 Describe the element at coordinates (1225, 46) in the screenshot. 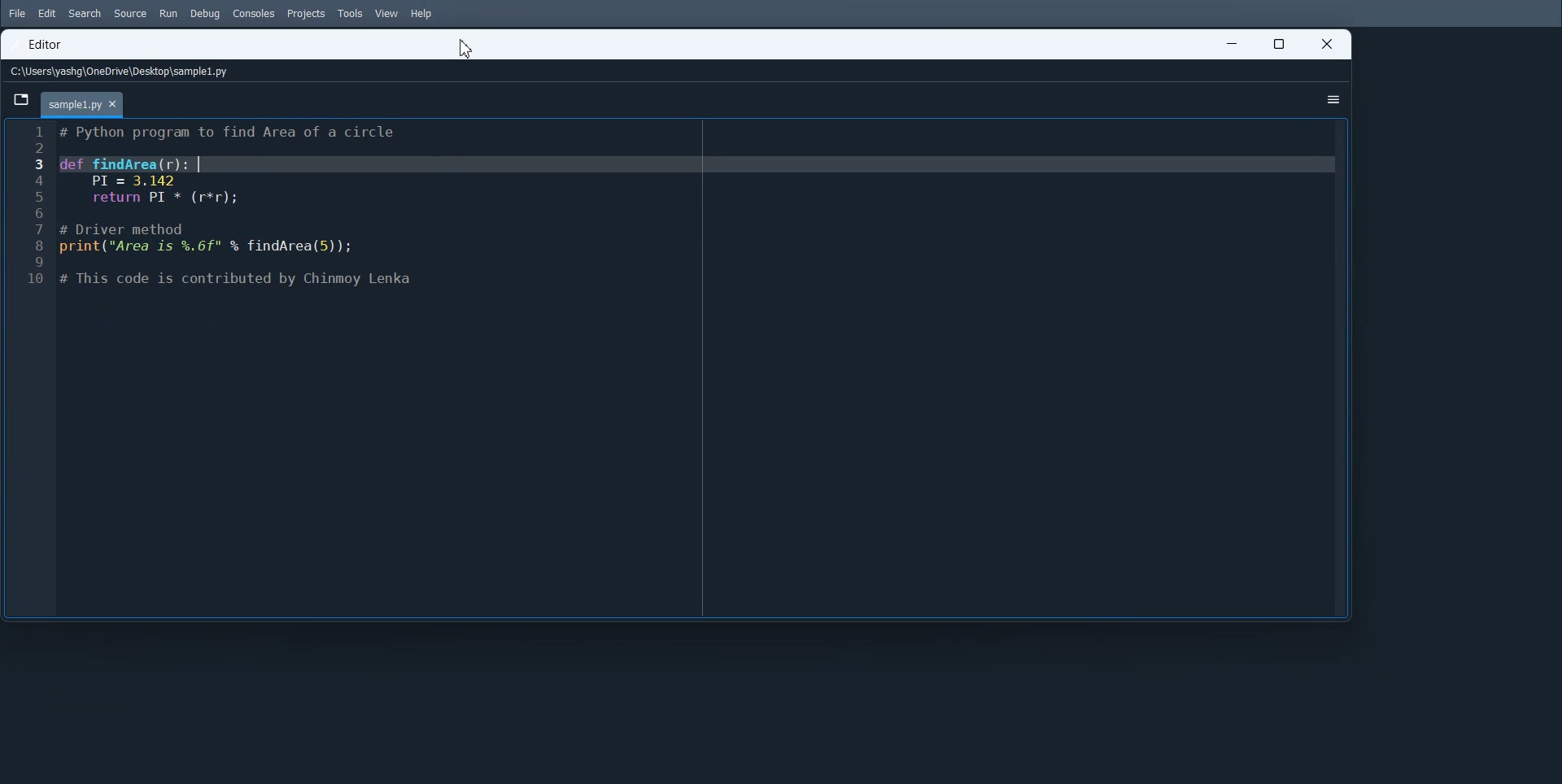

I see `Minimize` at that location.